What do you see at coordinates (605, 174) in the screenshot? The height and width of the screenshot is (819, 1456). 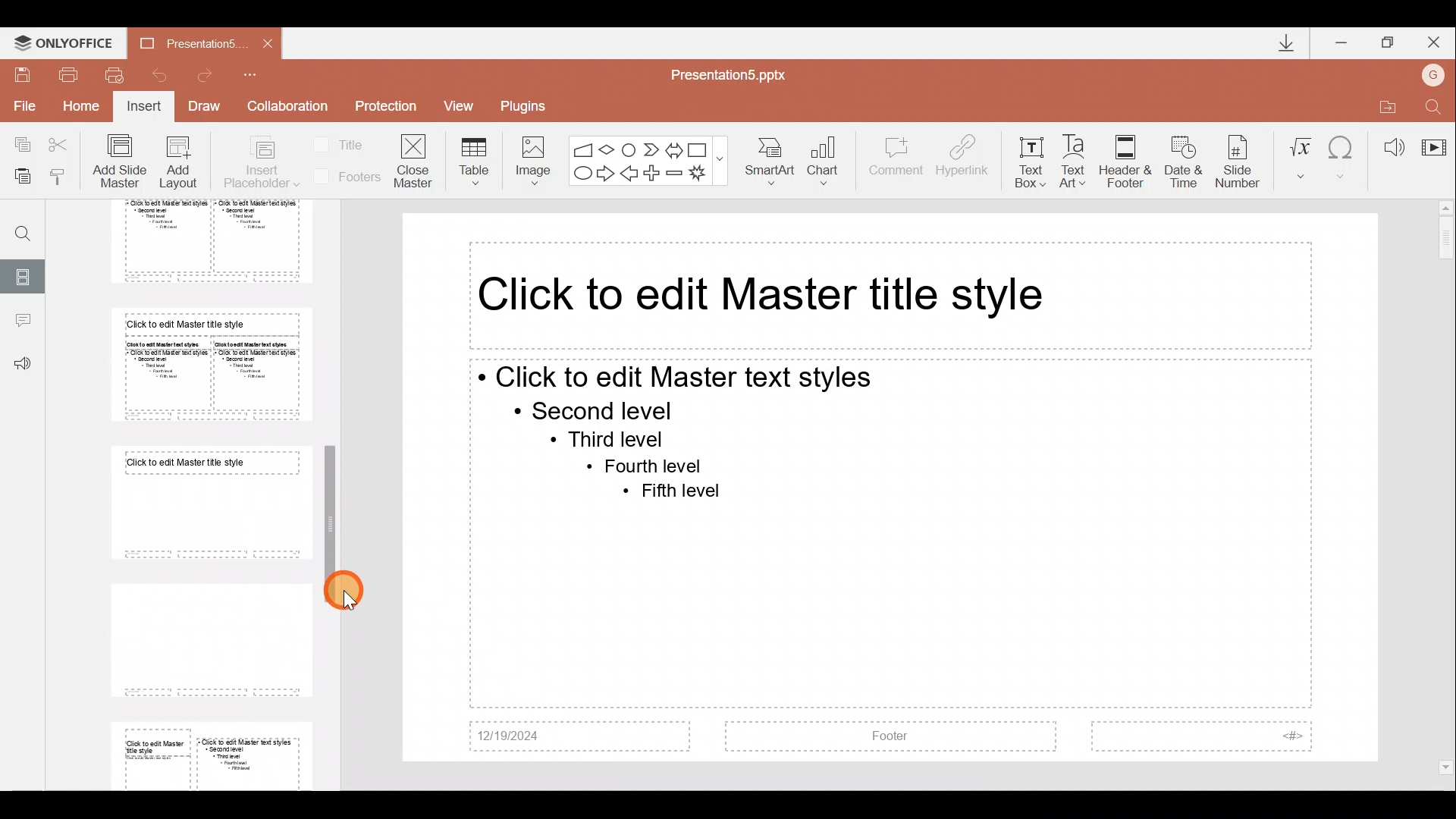 I see `Right arrow` at bounding box center [605, 174].